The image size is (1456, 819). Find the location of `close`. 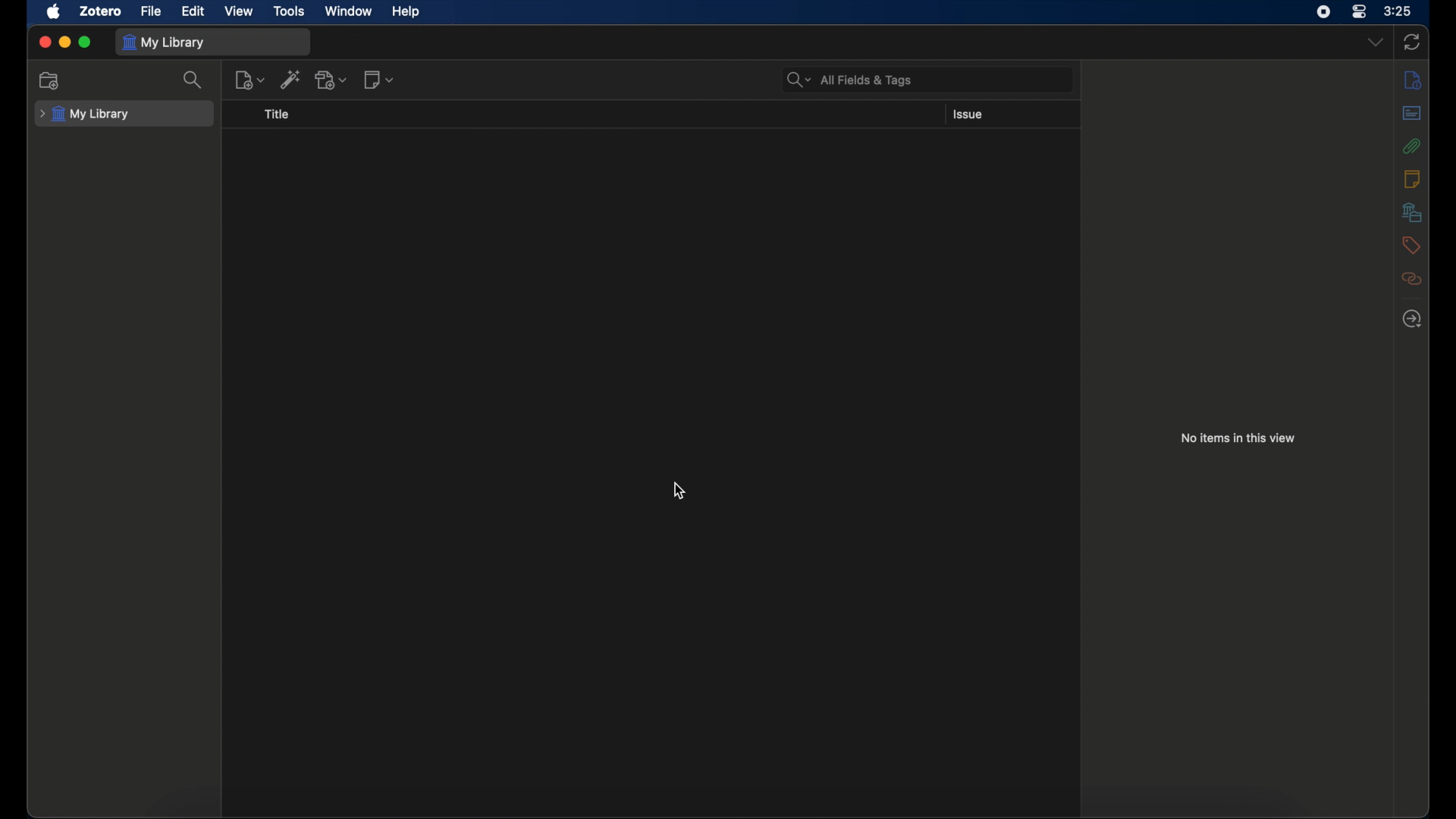

close is located at coordinates (44, 41).